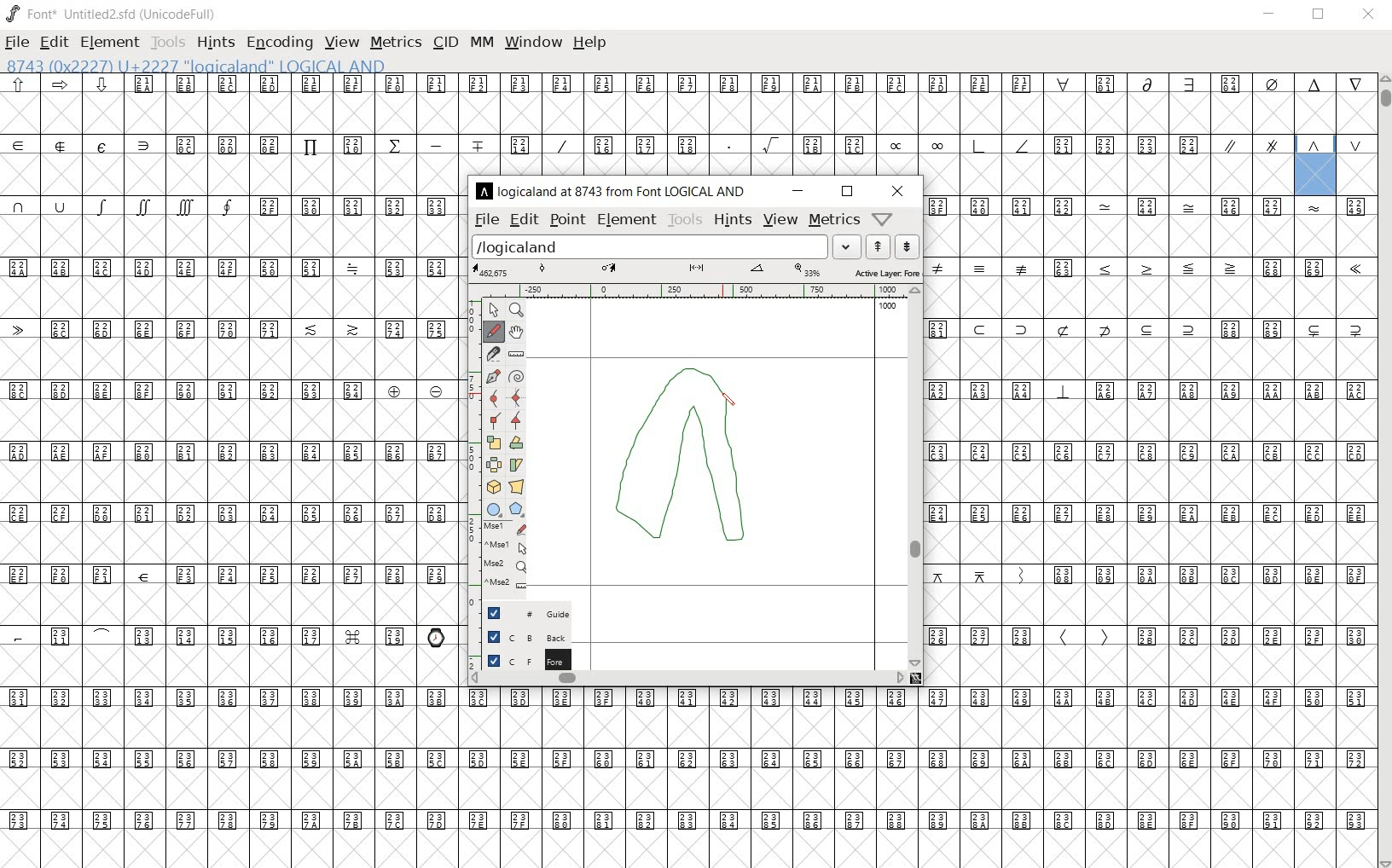 The image size is (1392, 868). What do you see at coordinates (492, 333) in the screenshot?
I see `draw a freehand curve` at bounding box center [492, 333].